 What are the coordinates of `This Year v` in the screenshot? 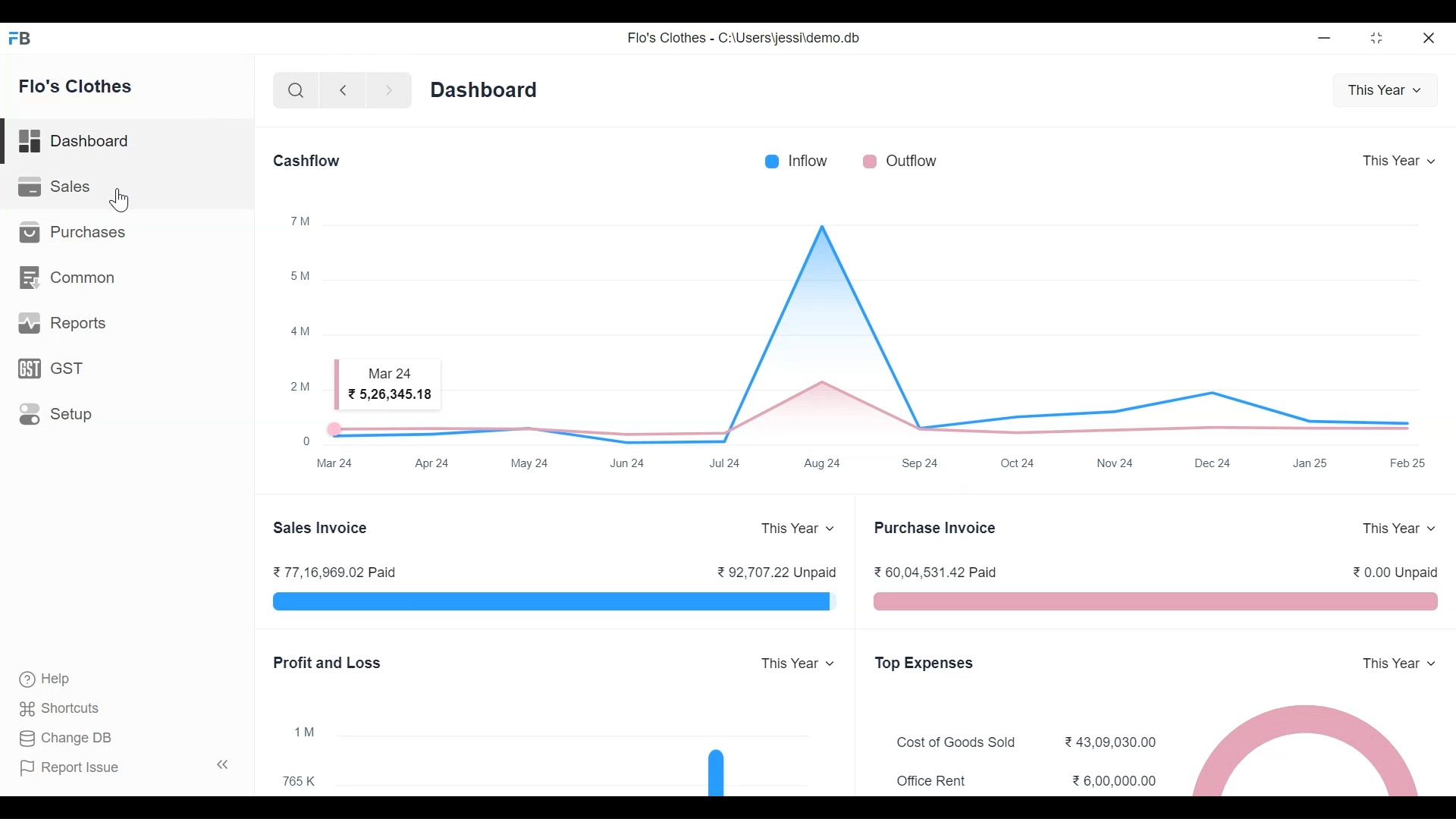 It's located at (796, 663).